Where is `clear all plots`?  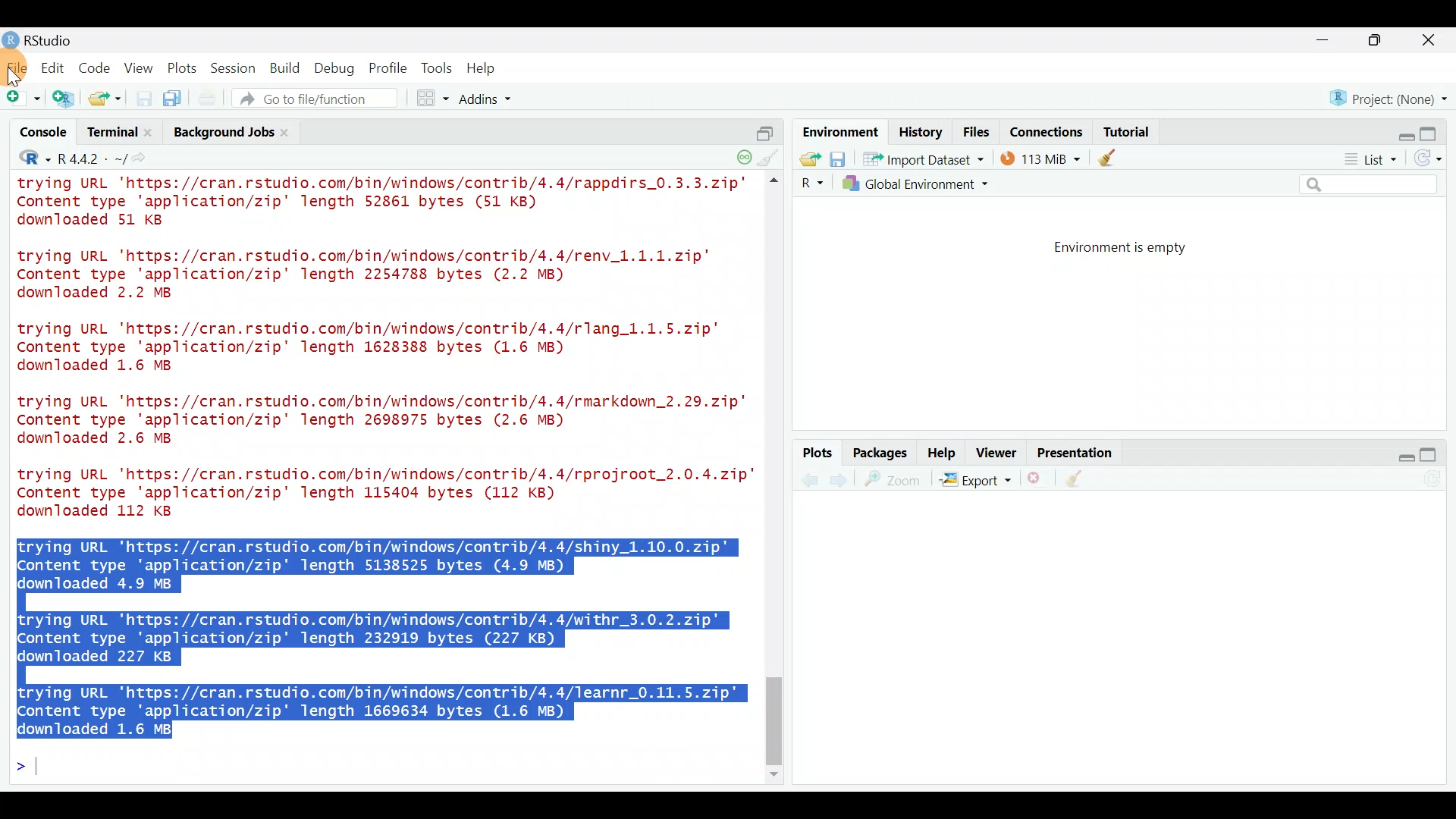
clear all plots is located at coordinates (1083, 481).